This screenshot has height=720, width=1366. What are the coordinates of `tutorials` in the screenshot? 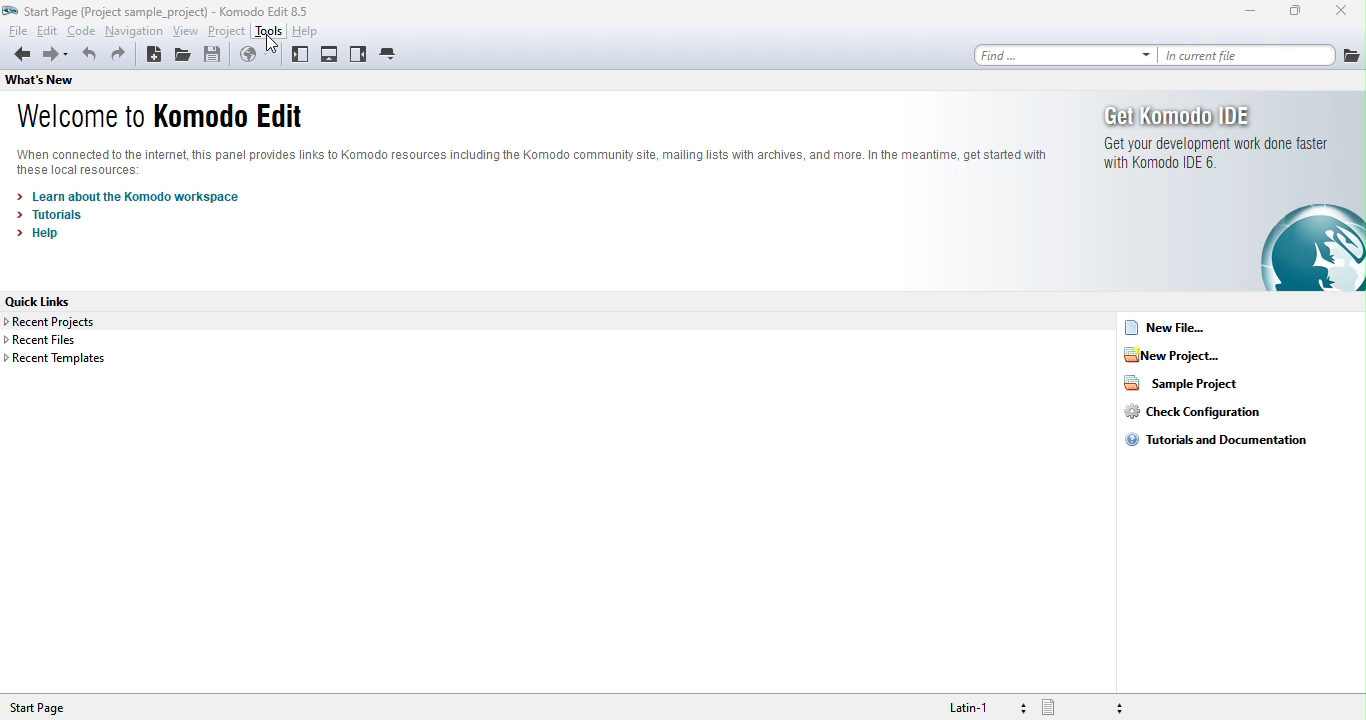 It's located at (55, 218).